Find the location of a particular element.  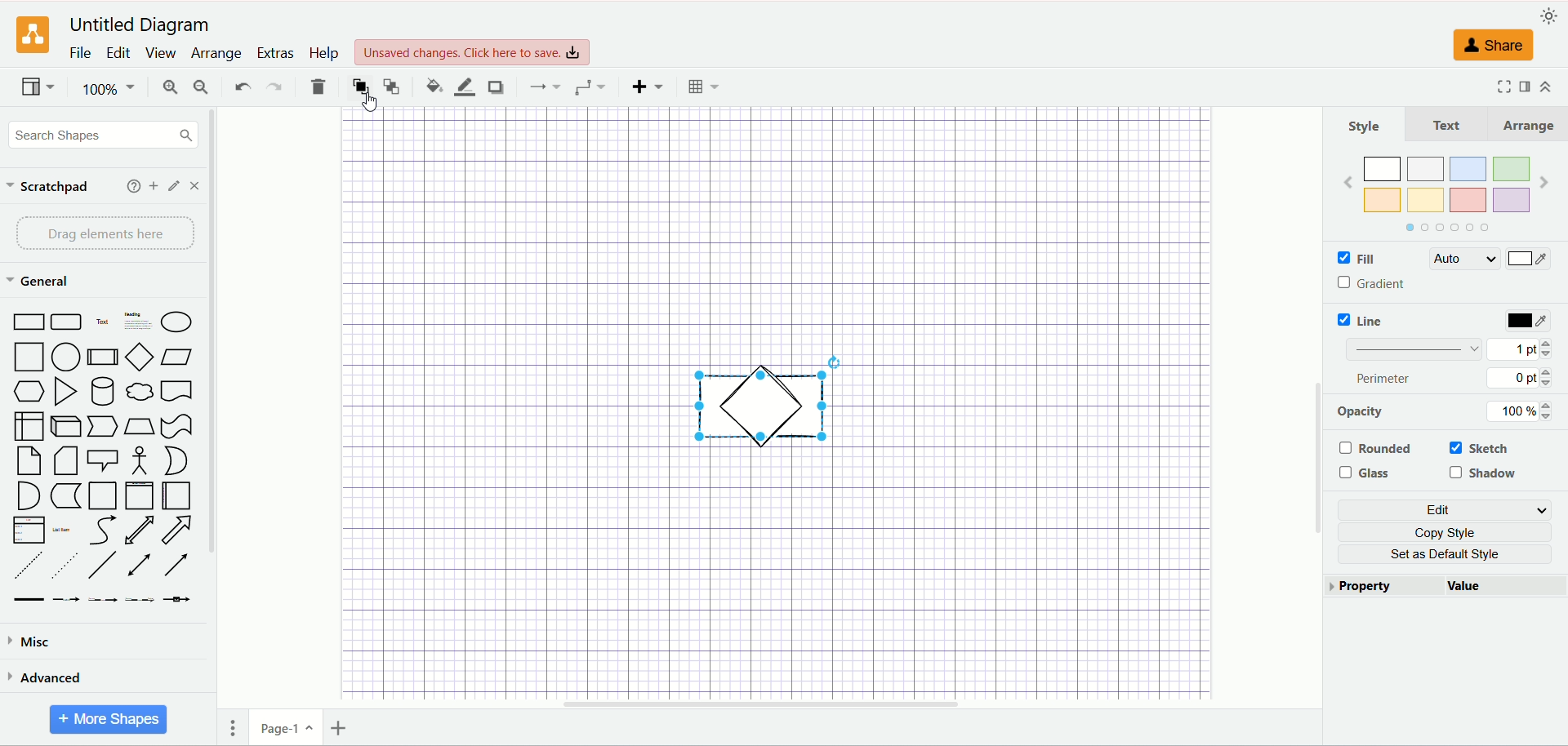

help is located at coordinates (125, 186).